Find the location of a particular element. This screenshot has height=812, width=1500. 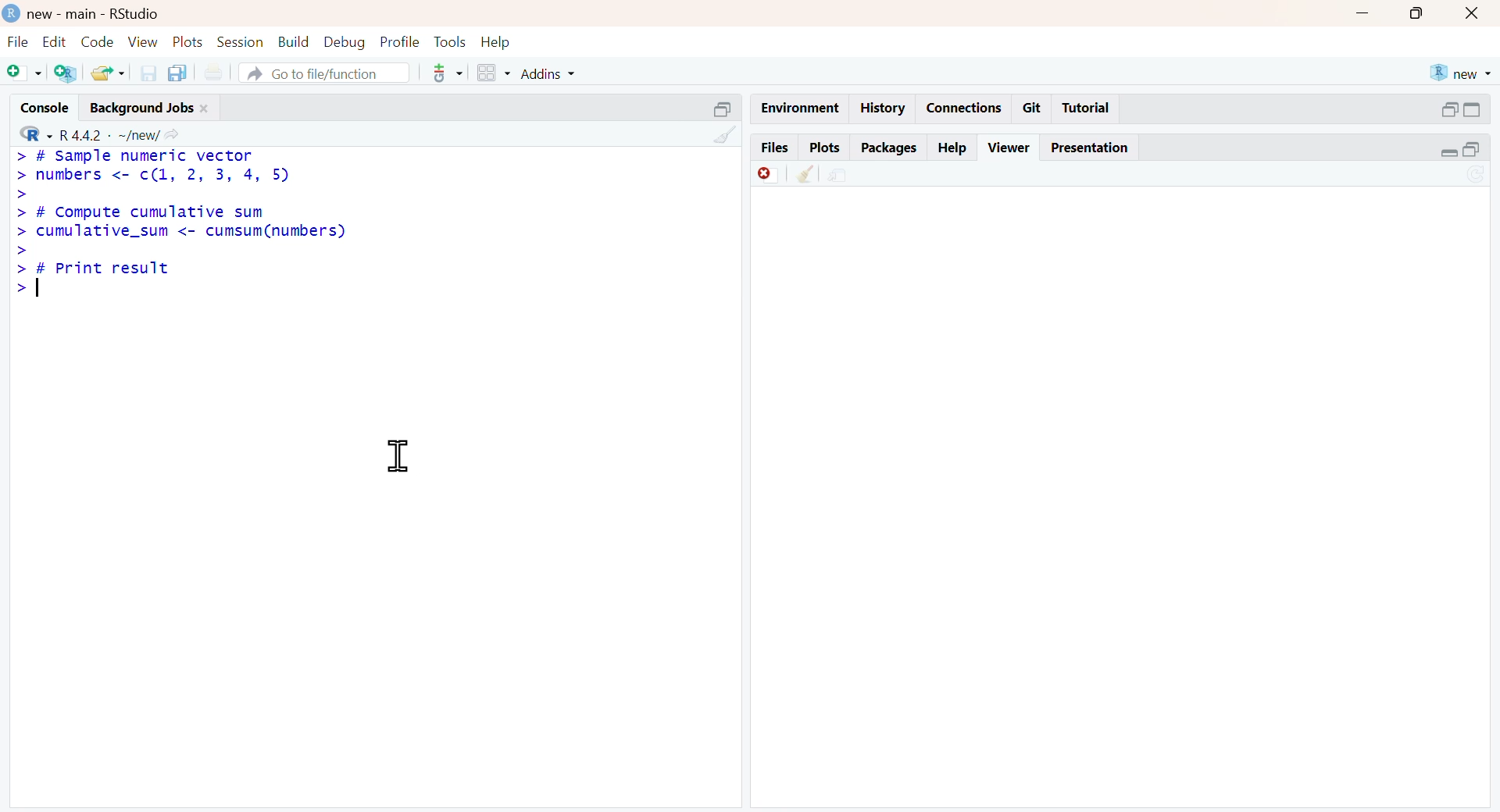

expand/collapse is located at coordinates (1448, 152).